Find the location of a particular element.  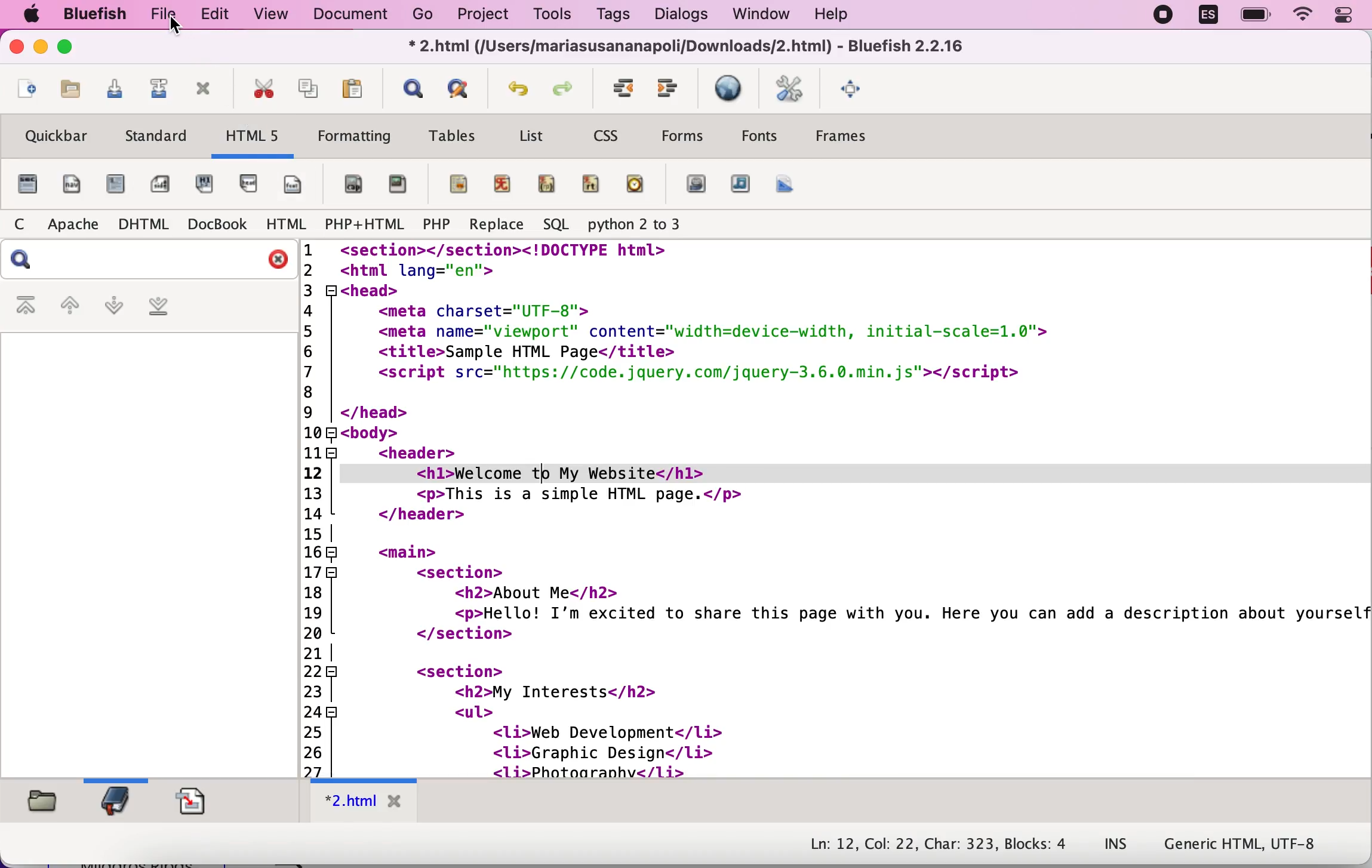

wifi is located at coordinates (1305, 17).